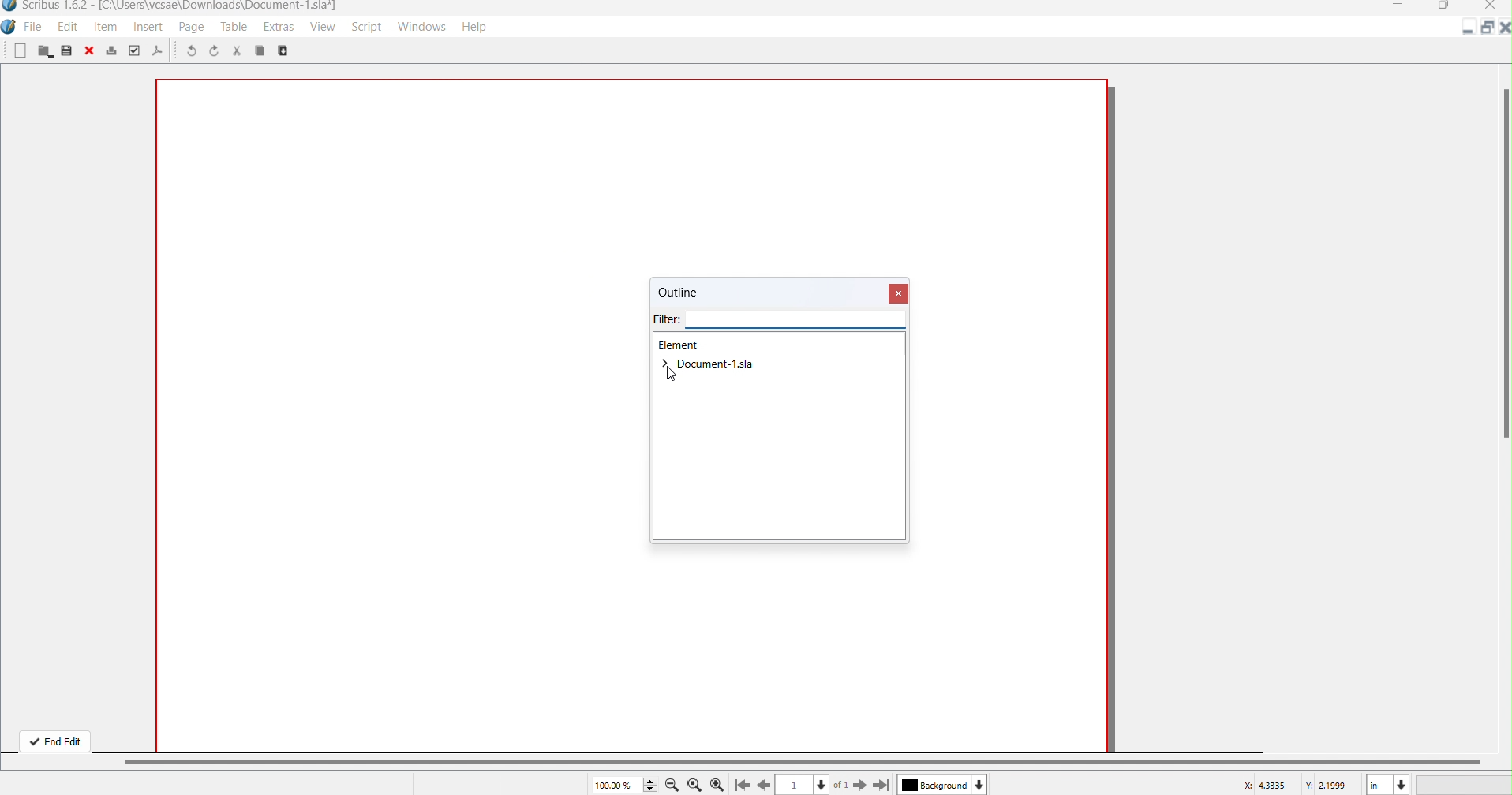 The width and height of the screenshot is (1512, 795). Describe the element at coordinates (860, 784) in the screenshot. I see `foward` at that location.